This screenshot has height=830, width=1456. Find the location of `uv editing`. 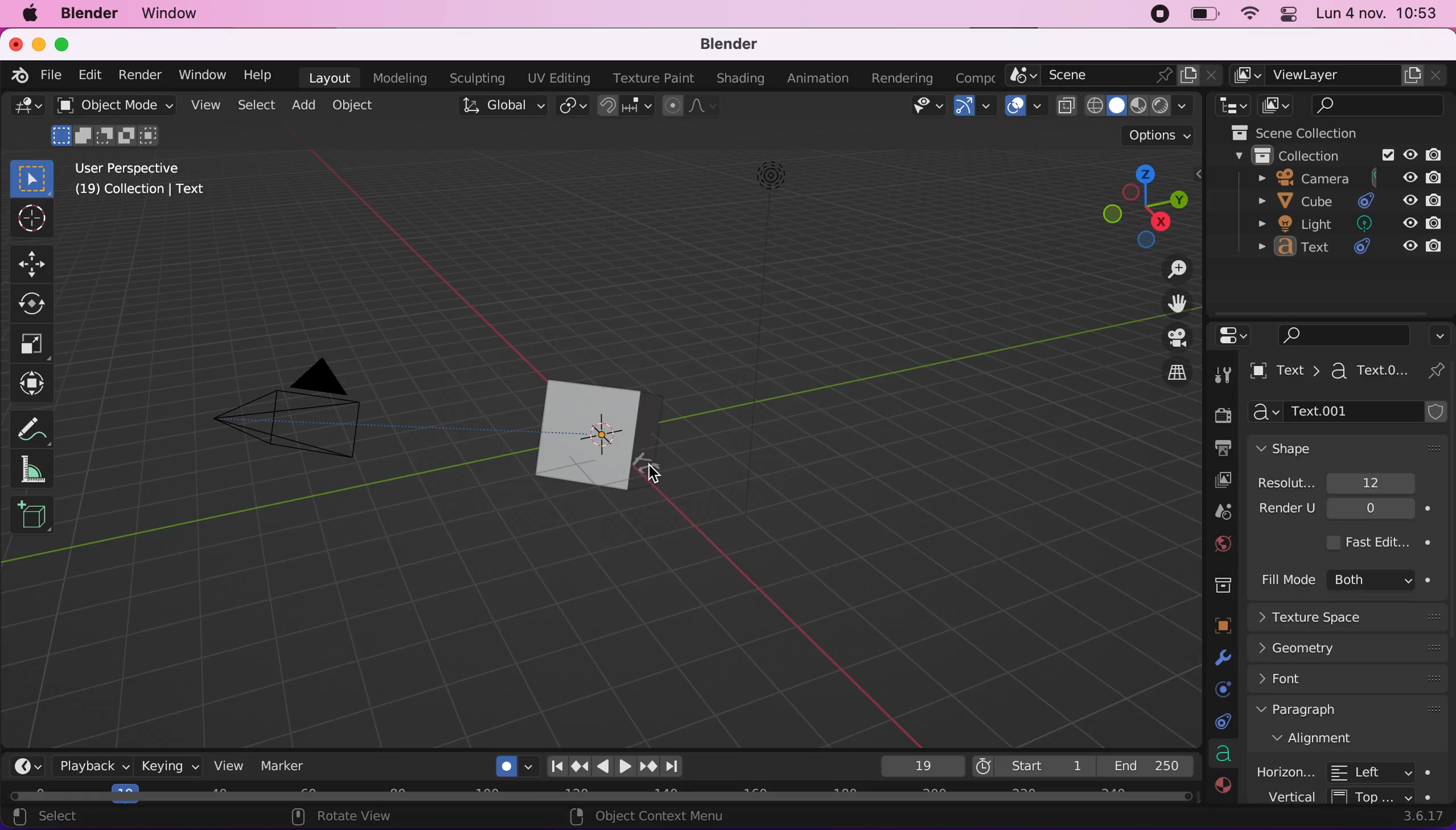

uv editing is located at coordinates (561, 76).